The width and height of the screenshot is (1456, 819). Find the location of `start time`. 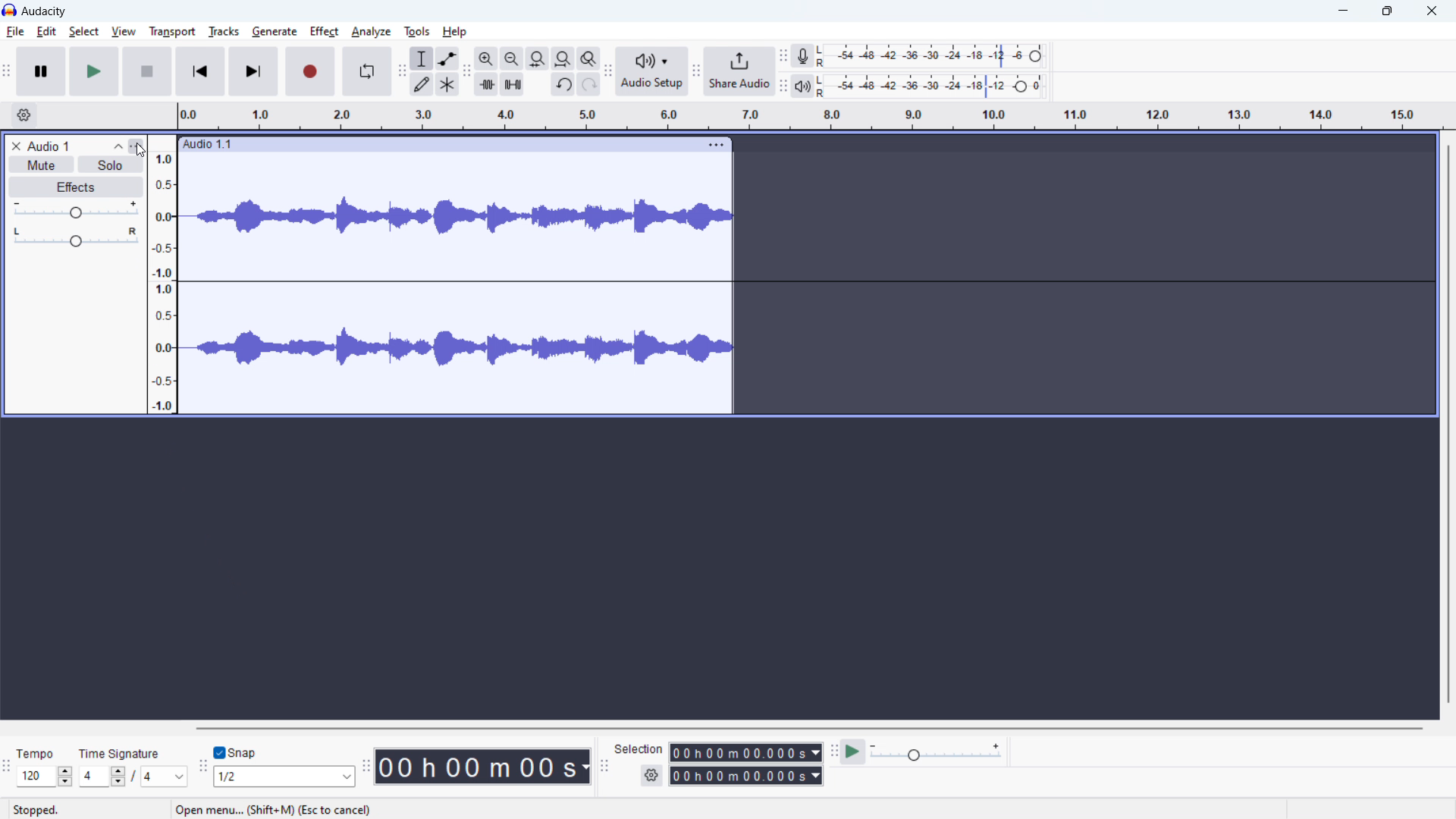

start time is located at coordinates (746, 753).